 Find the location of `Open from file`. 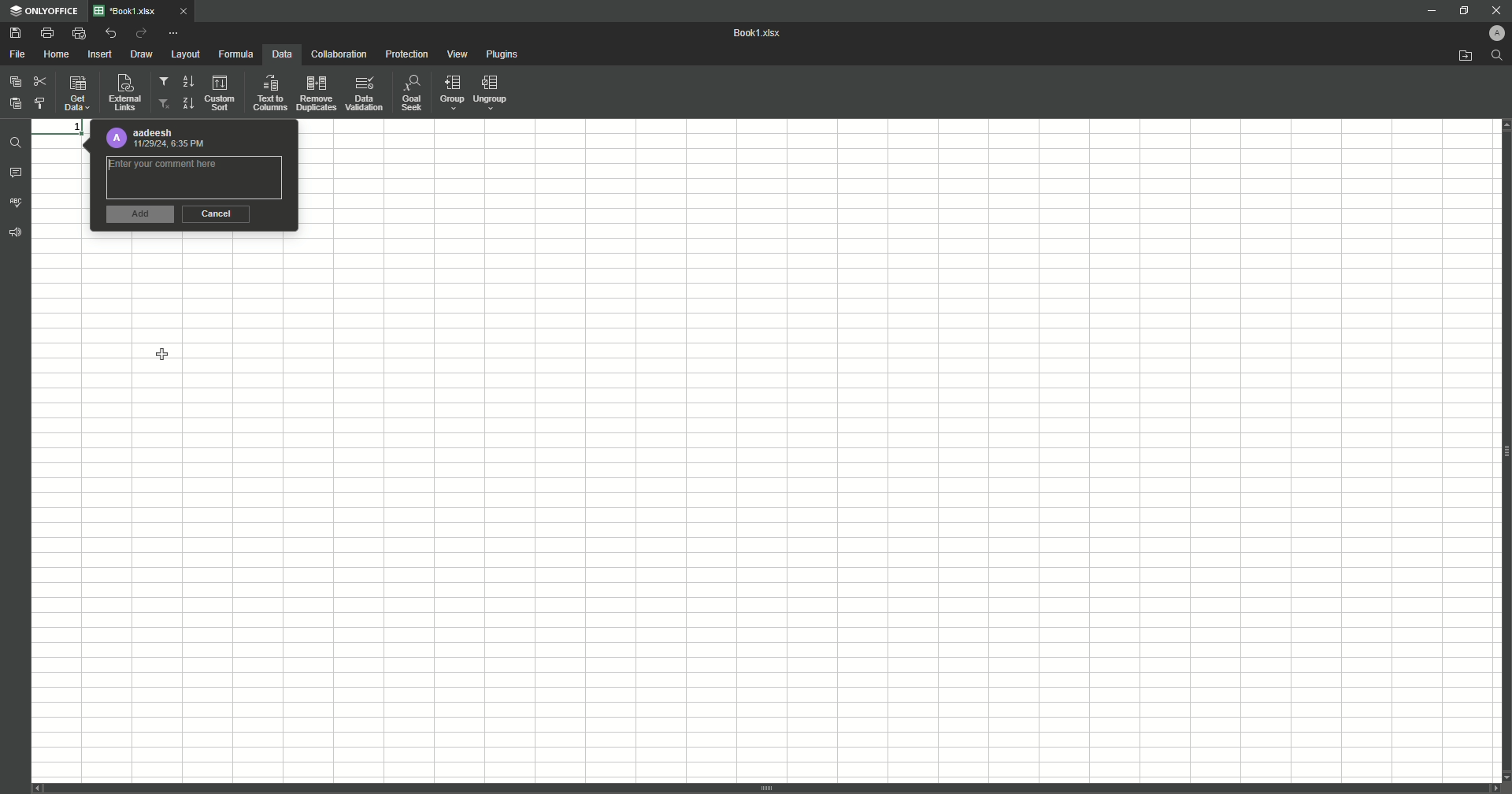

Open from file is located at coordinates (1458, 57).